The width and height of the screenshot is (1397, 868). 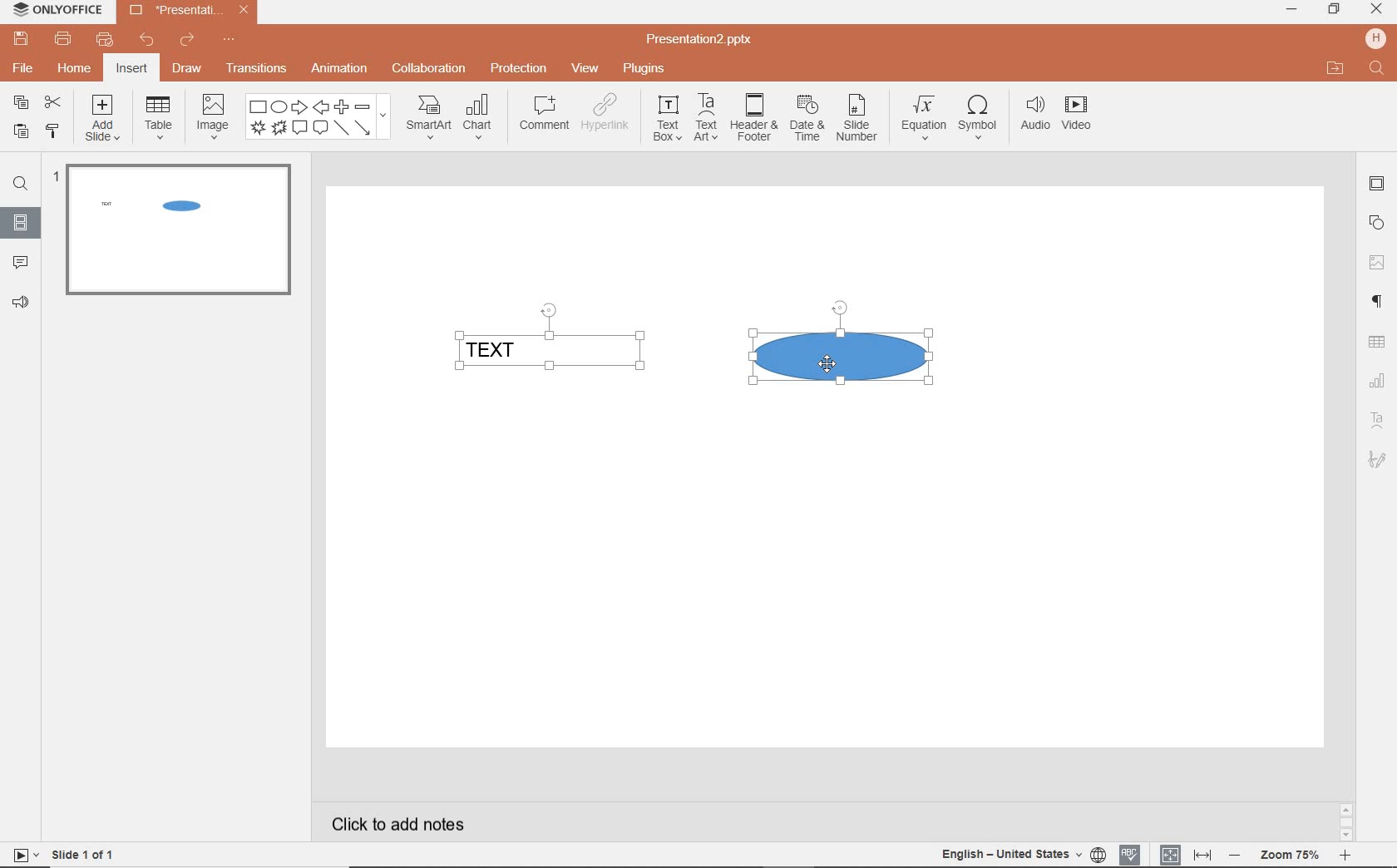 I want to click on FIT TO SLIDE / FIT TO WIDTH, so click(x=1187, y=853).